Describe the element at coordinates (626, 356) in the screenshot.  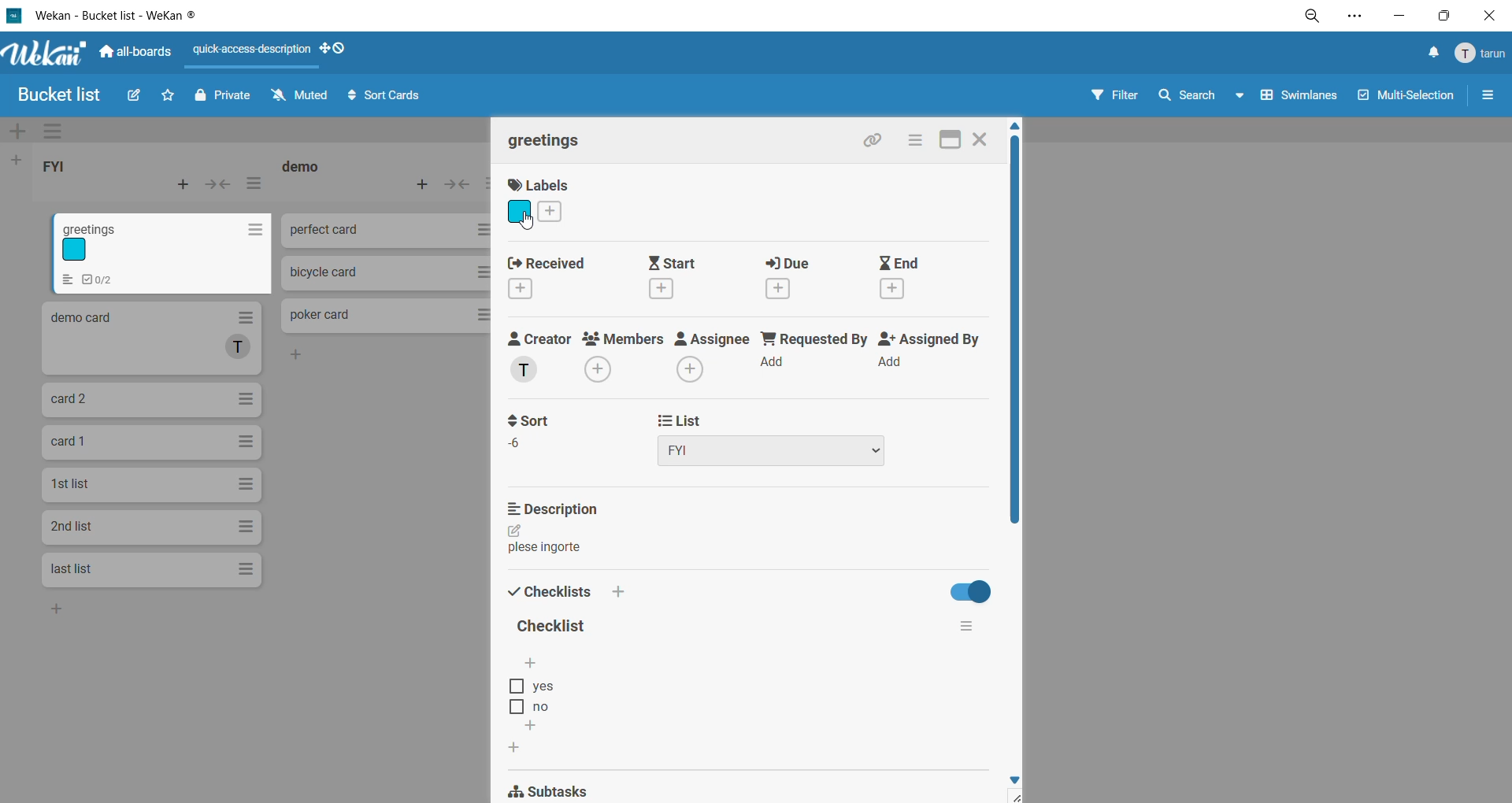
I see `members` at that location.